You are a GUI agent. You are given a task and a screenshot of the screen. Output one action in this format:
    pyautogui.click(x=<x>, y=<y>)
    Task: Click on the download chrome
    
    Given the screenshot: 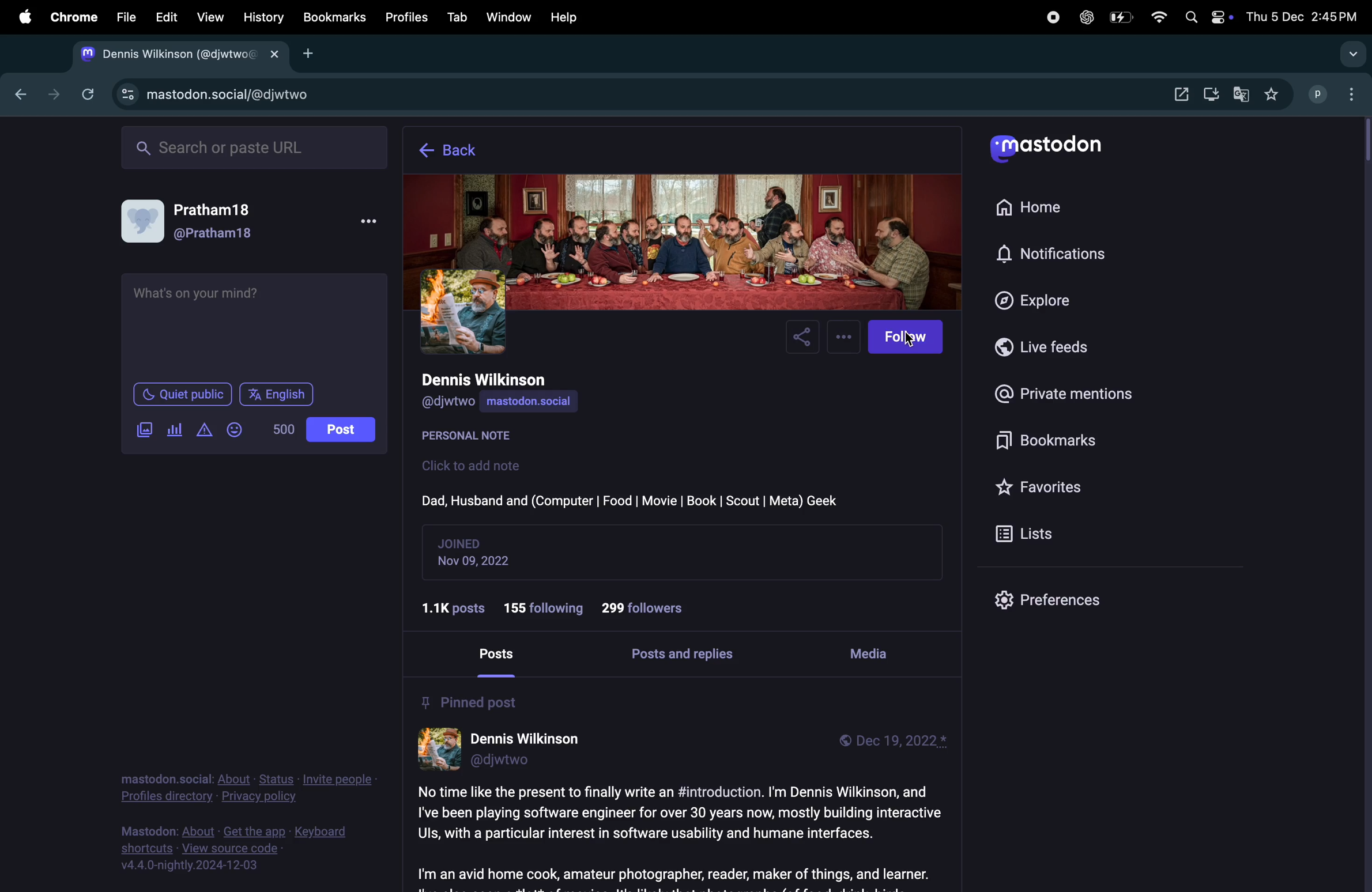 What is the action you would take?
    pyautogui.click(x=1212, y=95)
    